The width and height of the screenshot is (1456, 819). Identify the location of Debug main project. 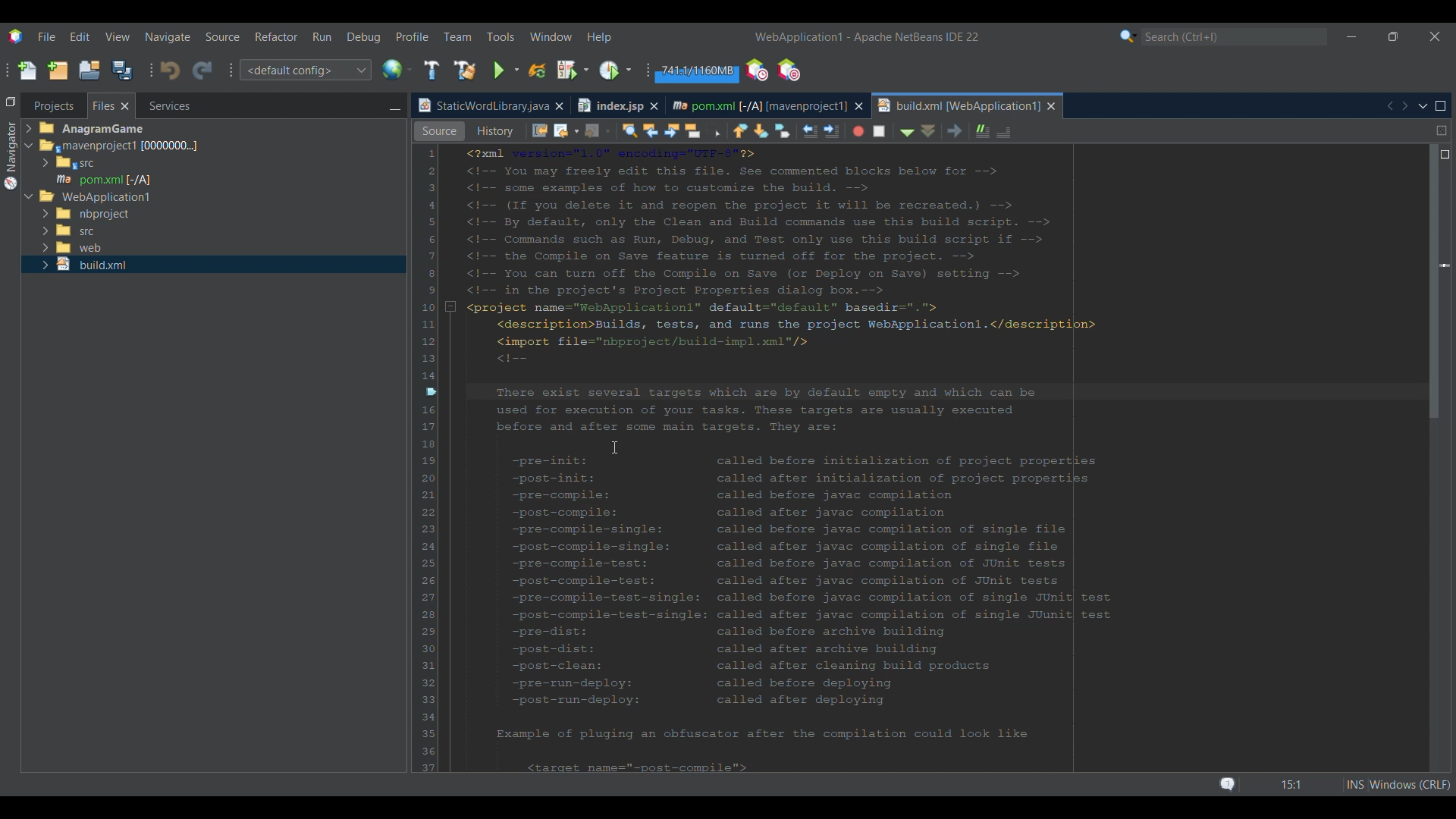
(573, 70).